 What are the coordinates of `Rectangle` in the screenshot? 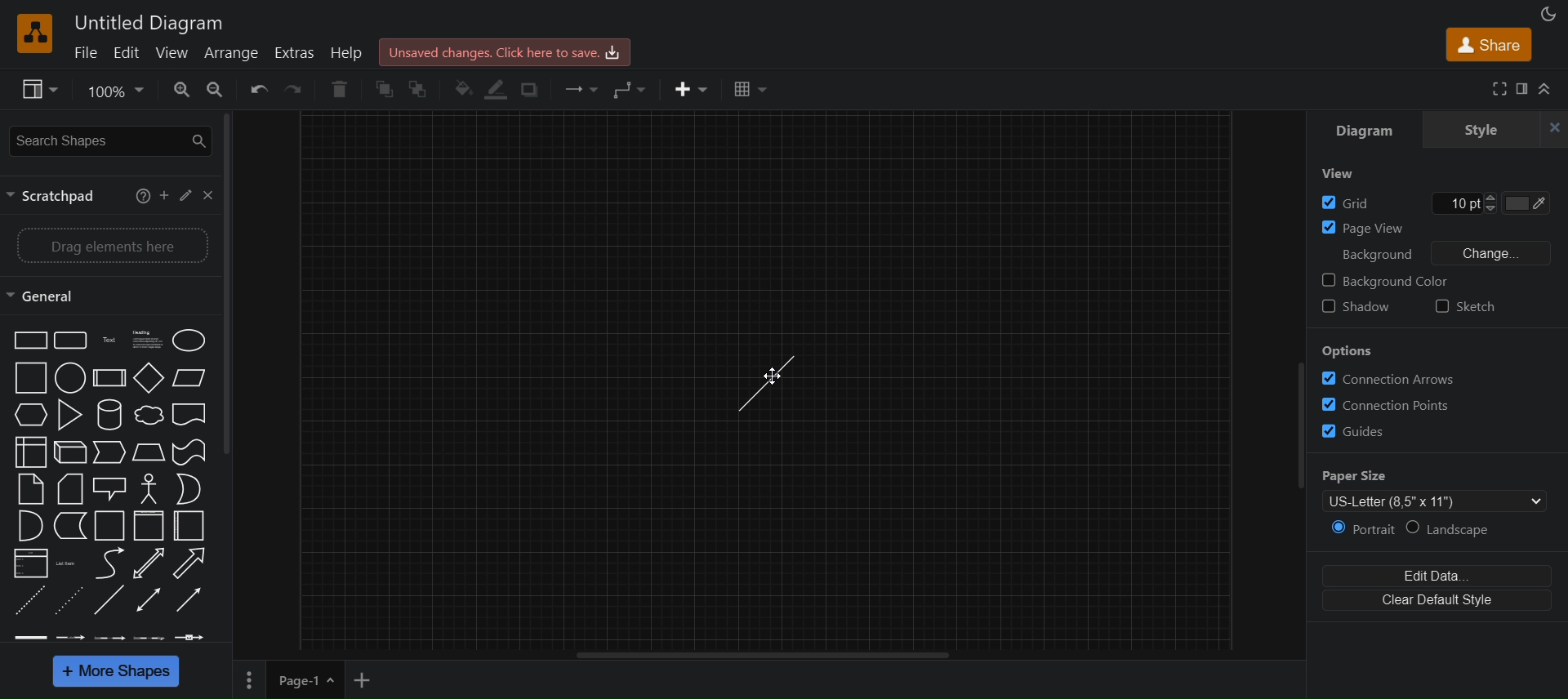 It's located at (28, 340).